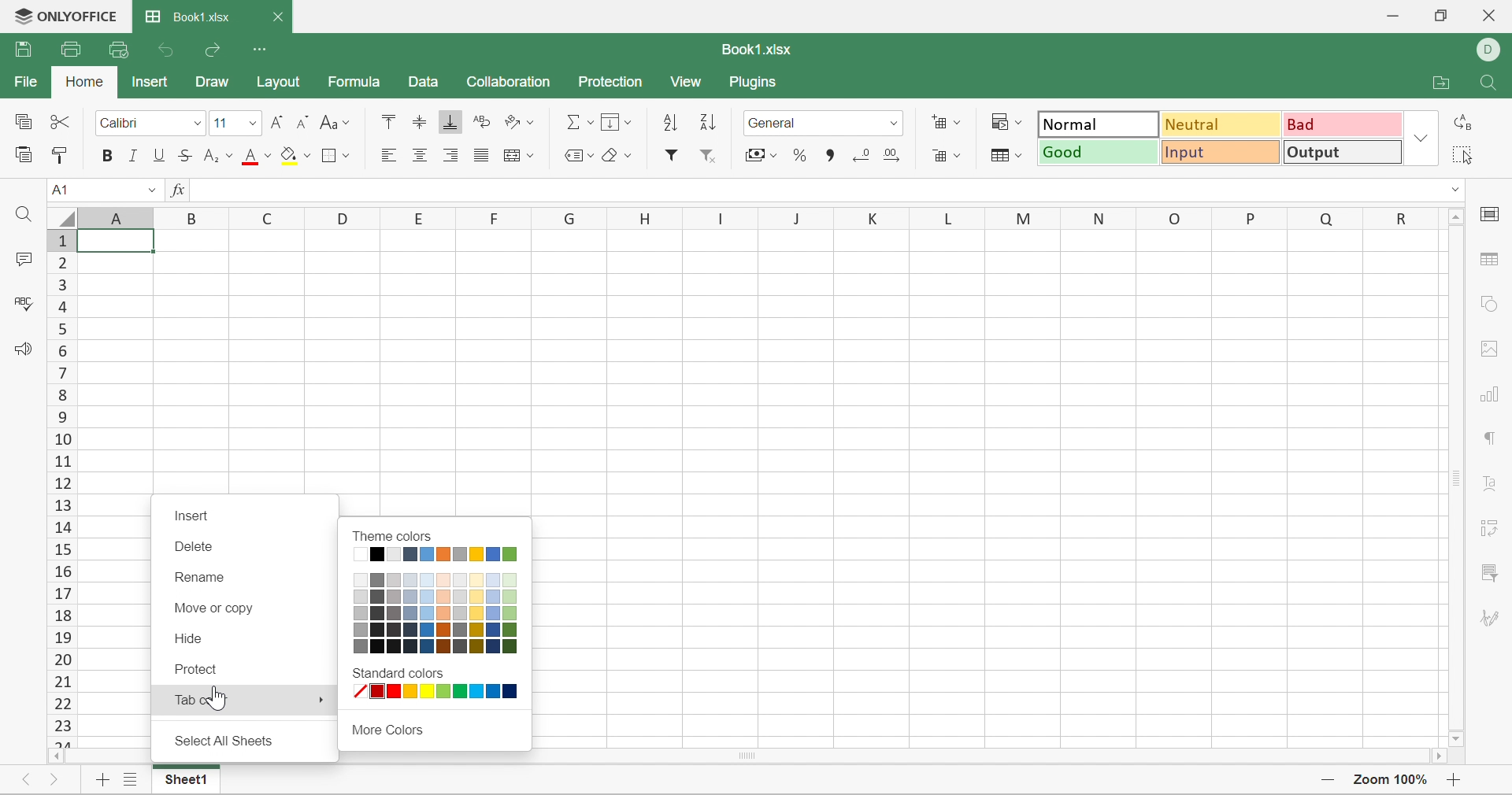 This screenshot has height=795, width=1512. I want to click on Find, so click(22, 216).